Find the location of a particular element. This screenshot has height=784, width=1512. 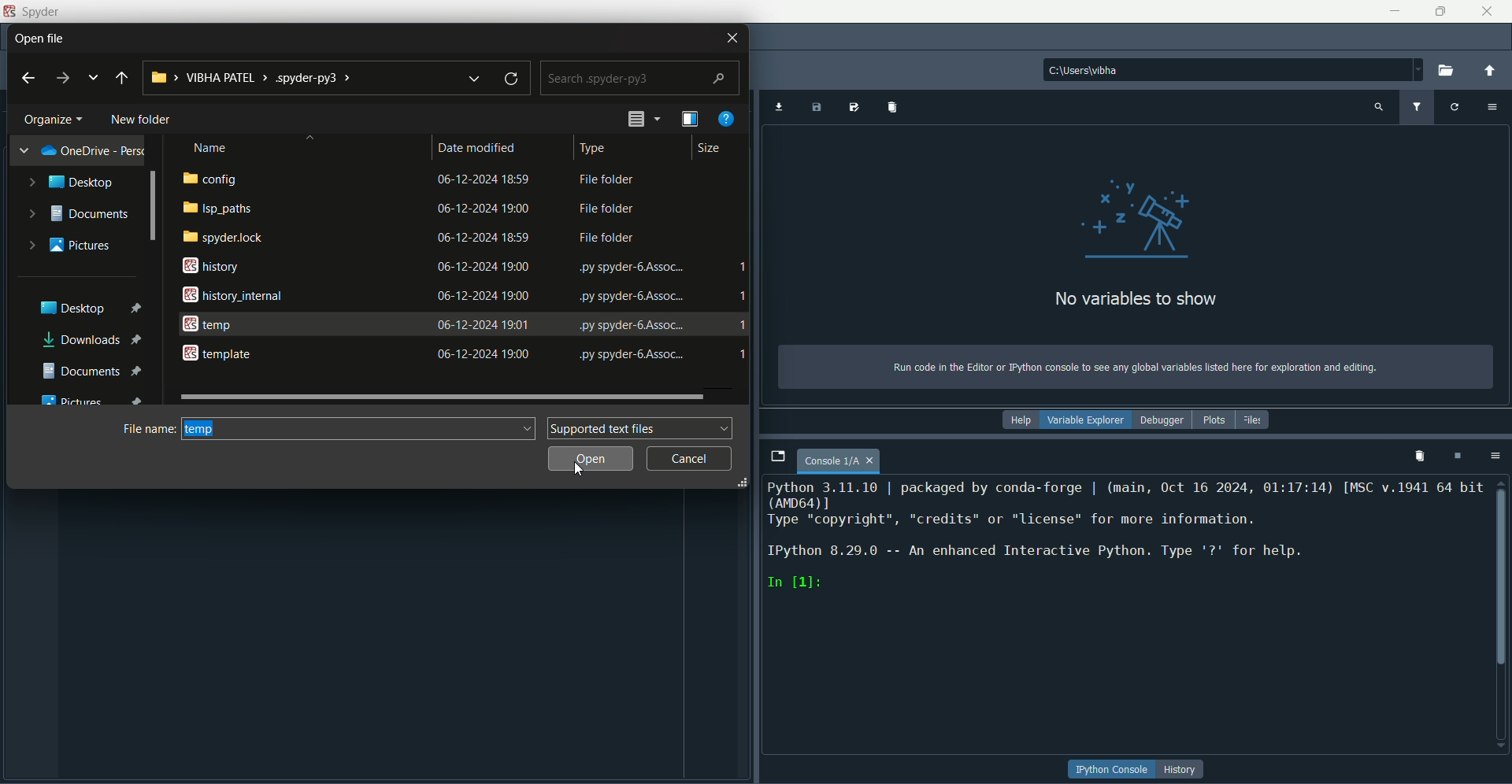

spyder lock is located at coordinates (223, 238).